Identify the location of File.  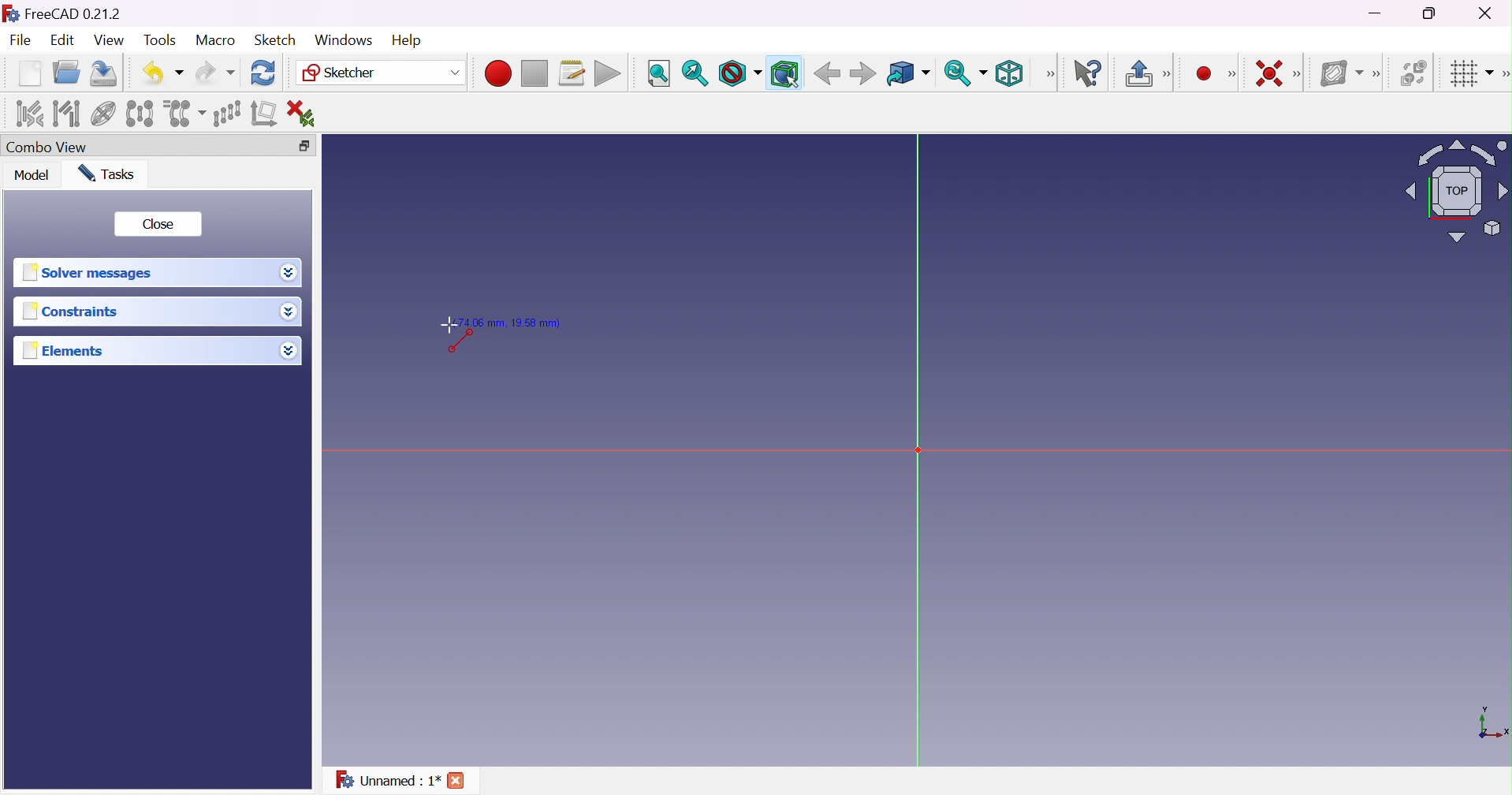
(21, 41).